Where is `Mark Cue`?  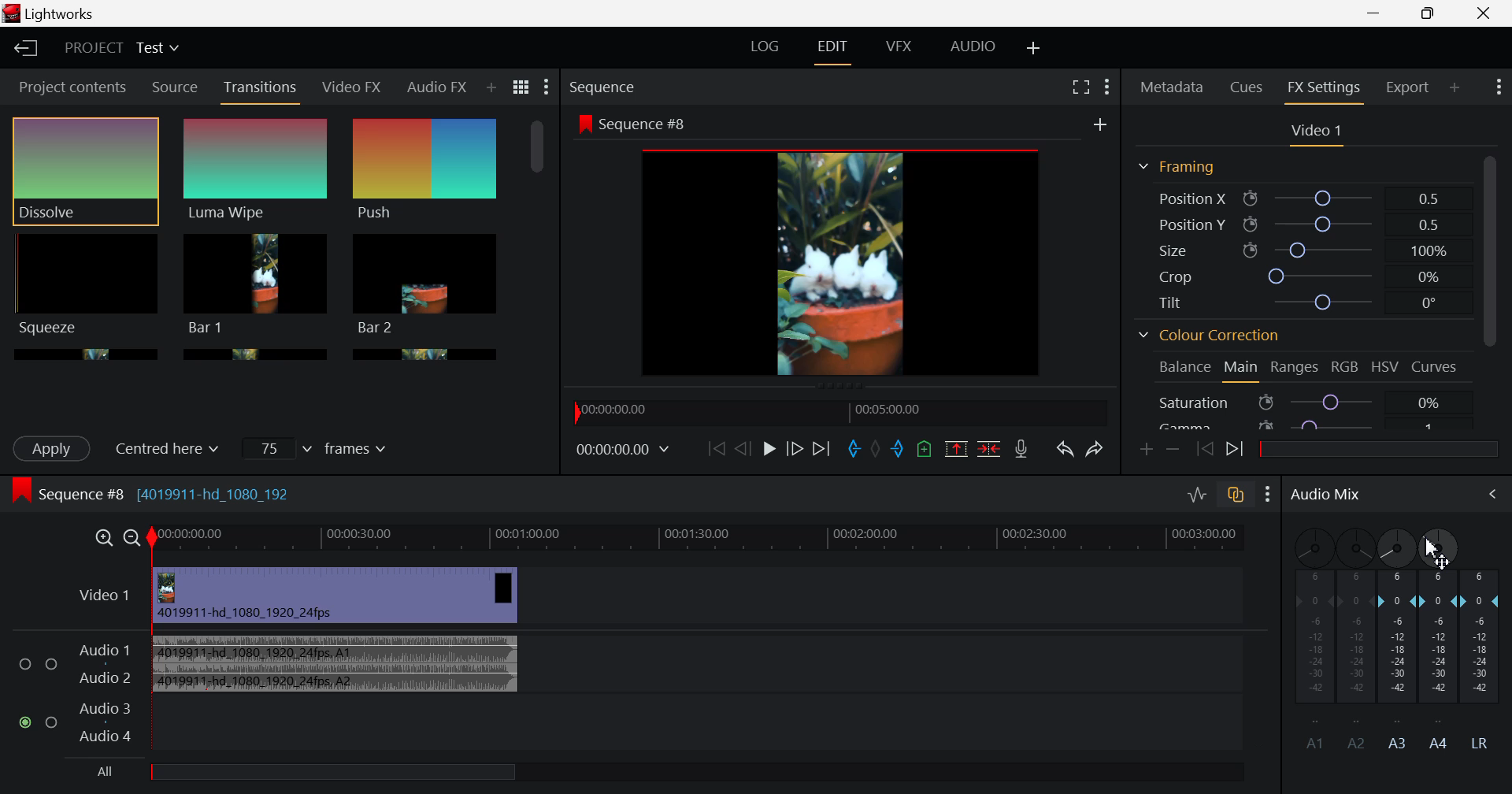
Mark Cue is located at coordinates (923, 449).